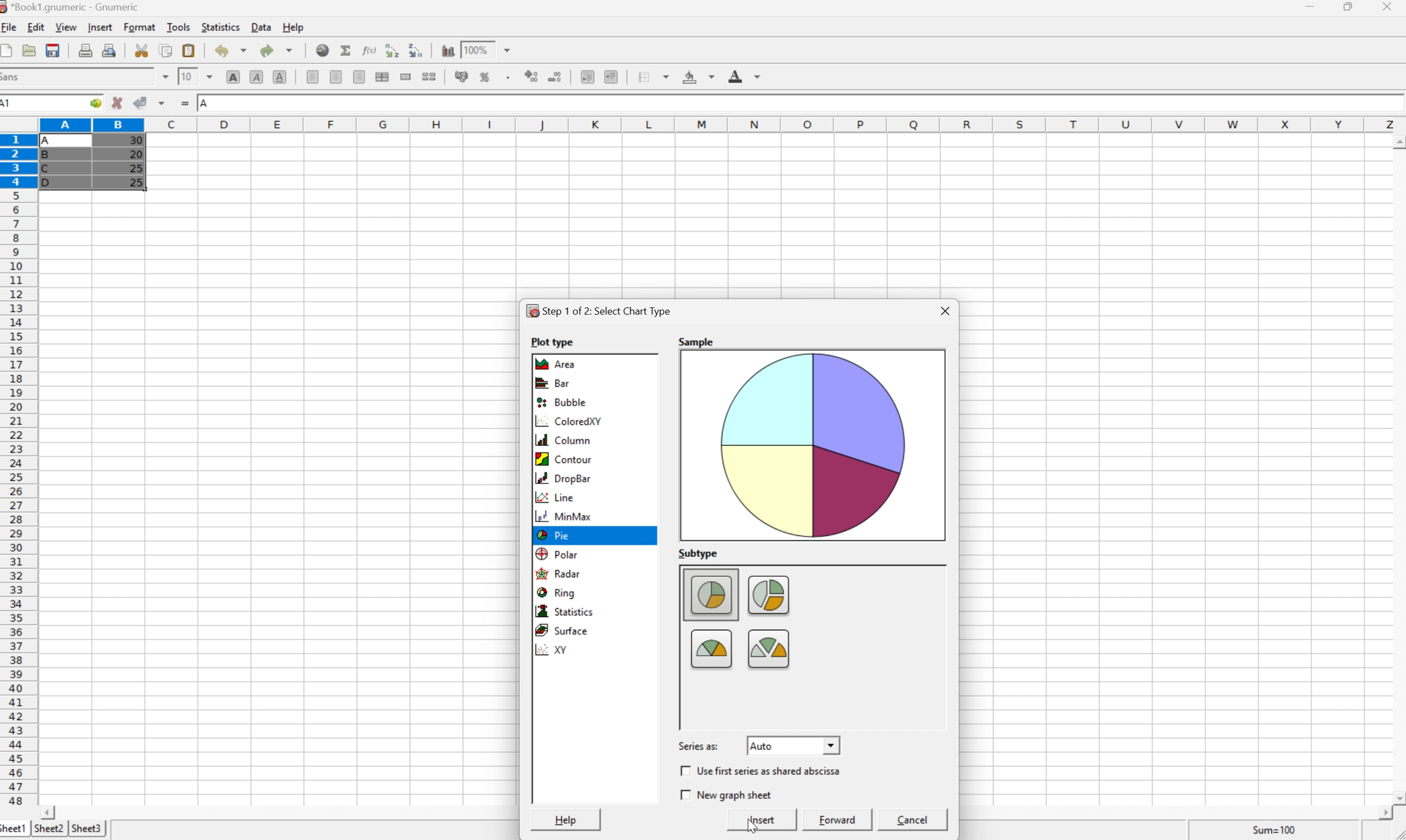 The height and width of the screenshot is (840, 1406). Describe the element at coordinates (138, 182) in the screenshot. I see `25` at that location.